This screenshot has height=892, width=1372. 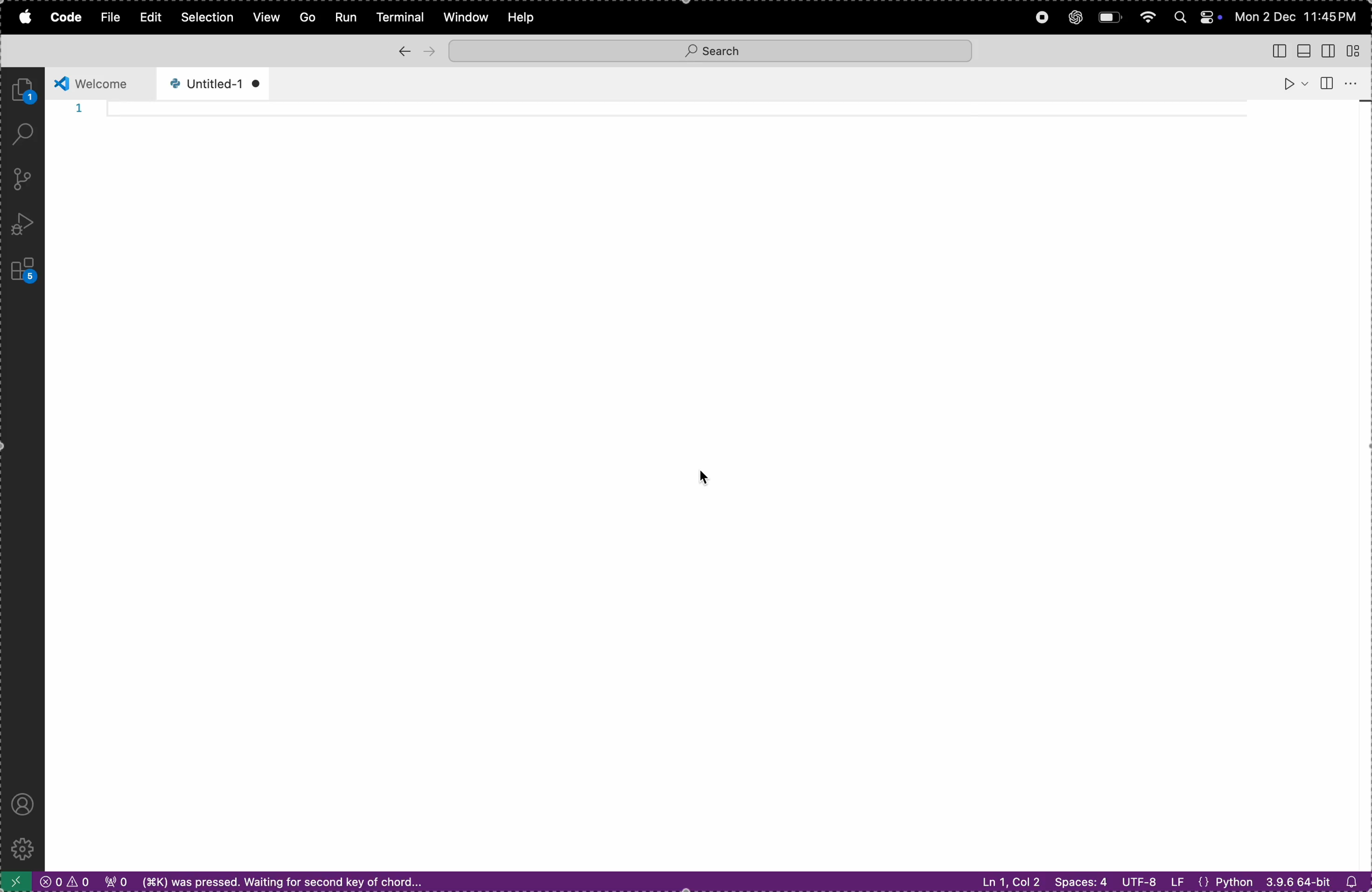 I want to click on python, so click(x=1228, y=881).